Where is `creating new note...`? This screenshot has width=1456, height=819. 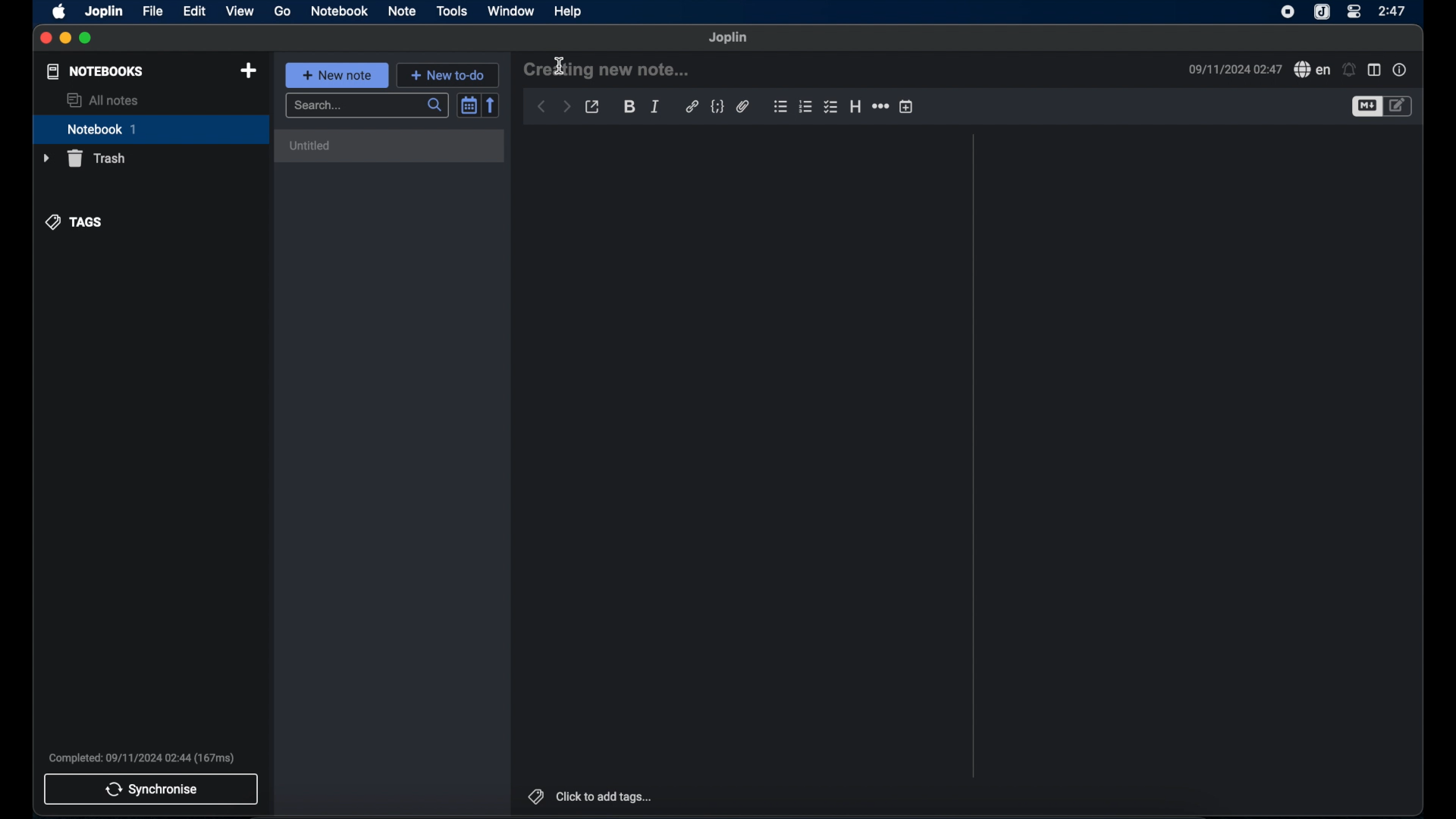
creating new note... is located at coordinates (610, 69).